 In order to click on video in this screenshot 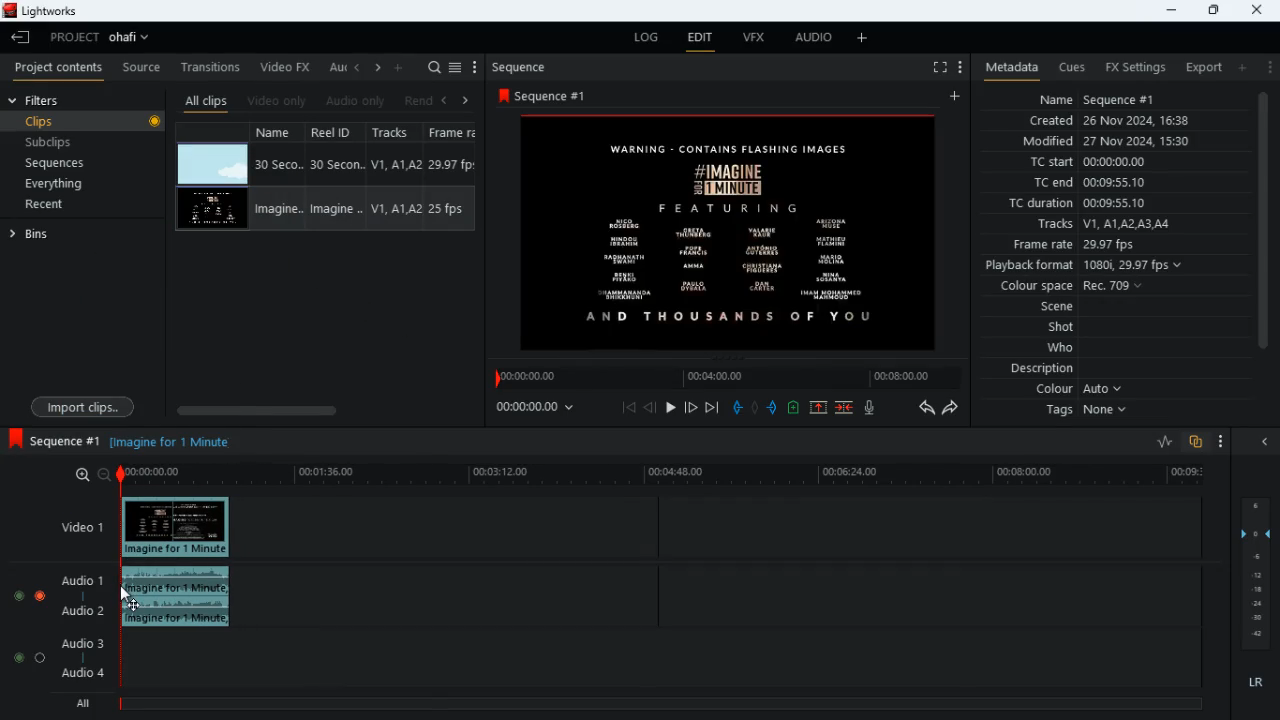, I will do `click(178, 528)`.